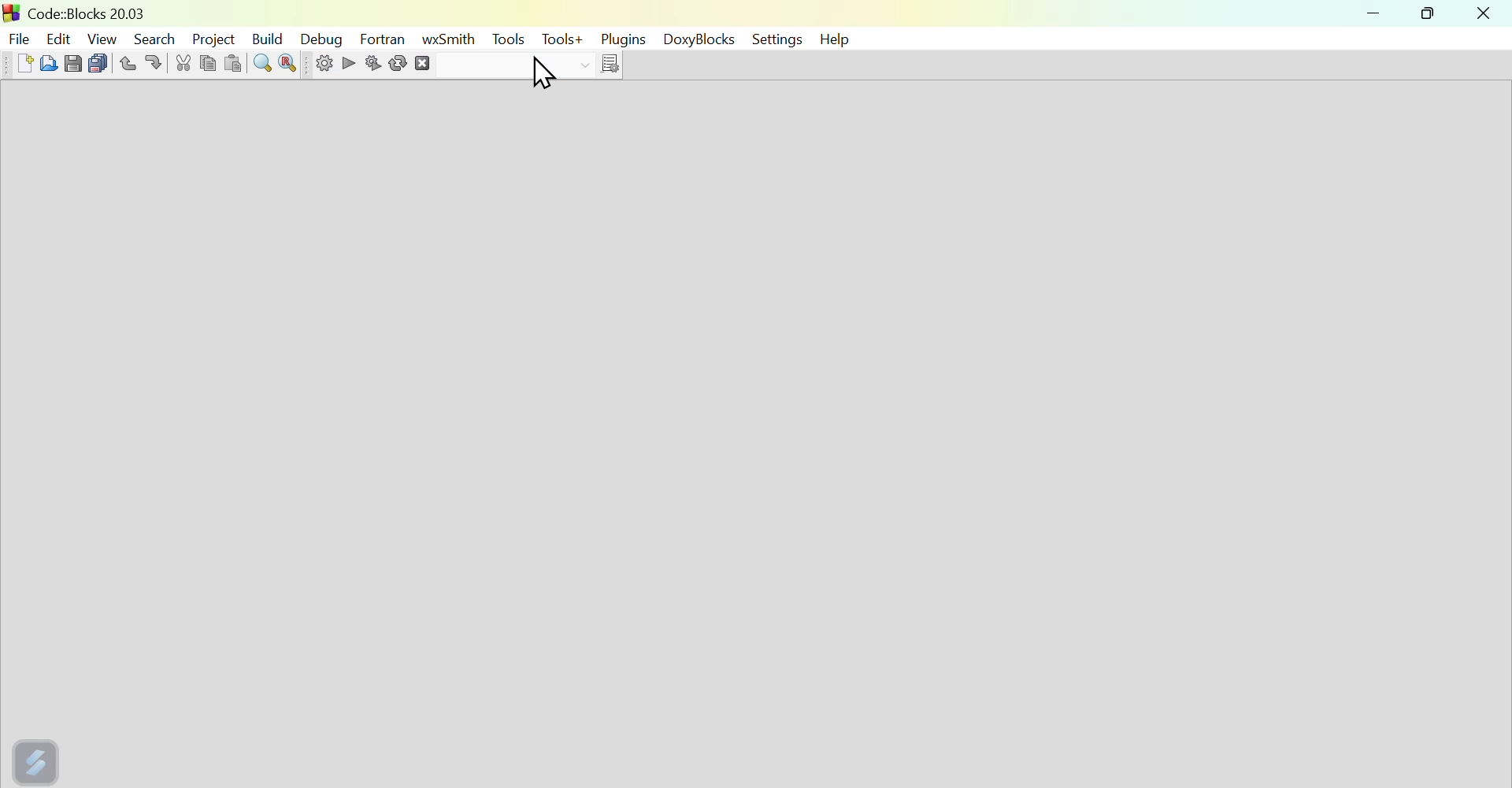 The height and width of the screenshot is (788, 1512). Describe the element at coordinates (543, 74) in the screenshot. I see `Cursor` at that location.